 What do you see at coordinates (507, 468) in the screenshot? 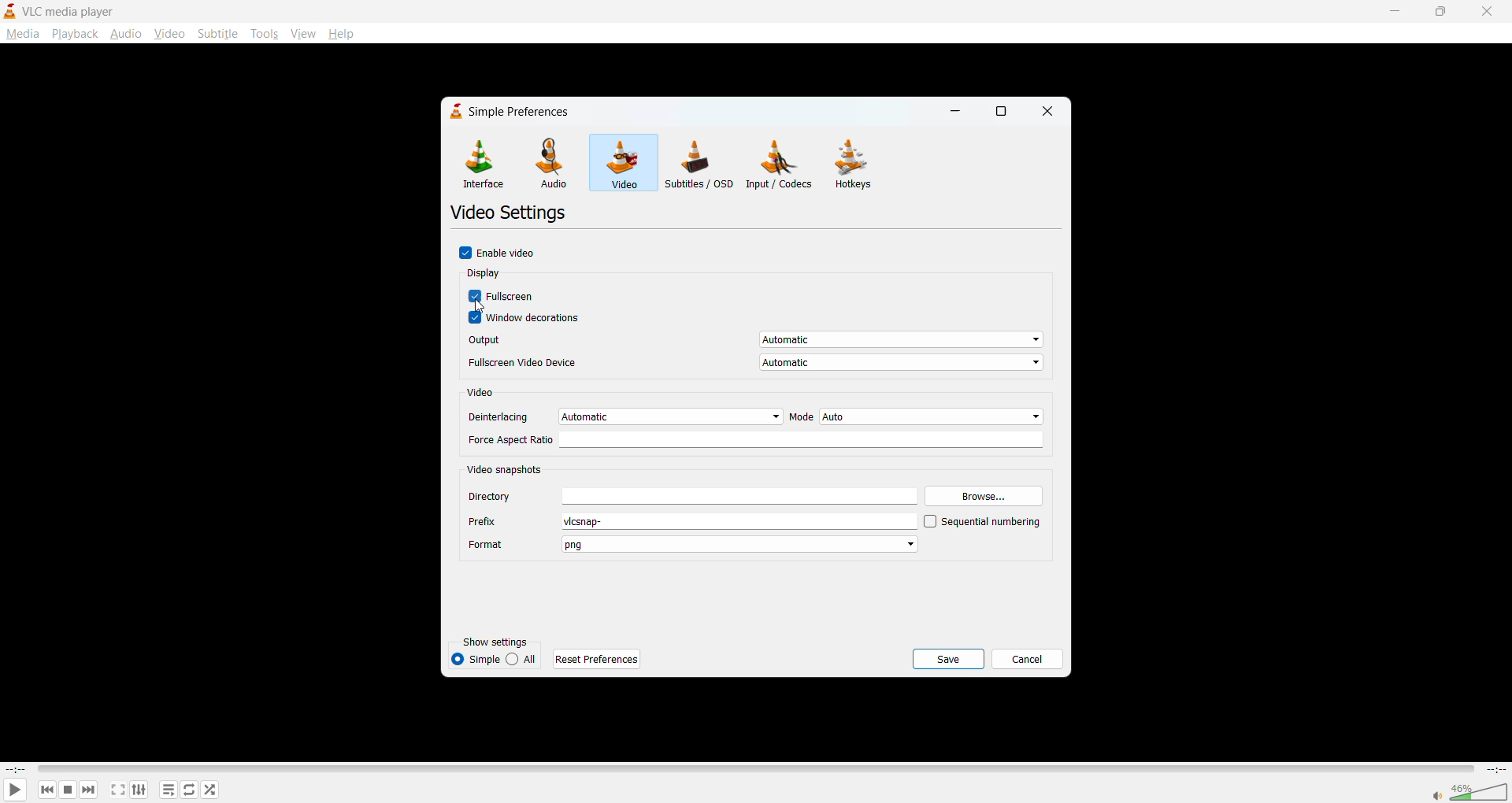
I see `video snapshots` at bounding box center [507, 468].